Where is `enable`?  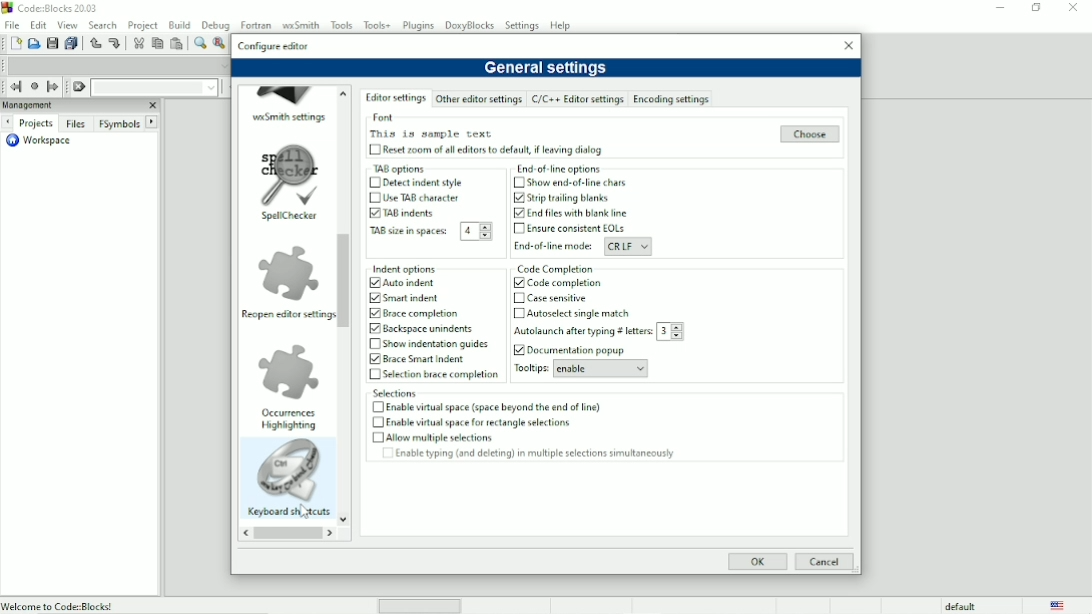
enable is located at coordinates (588, 368).